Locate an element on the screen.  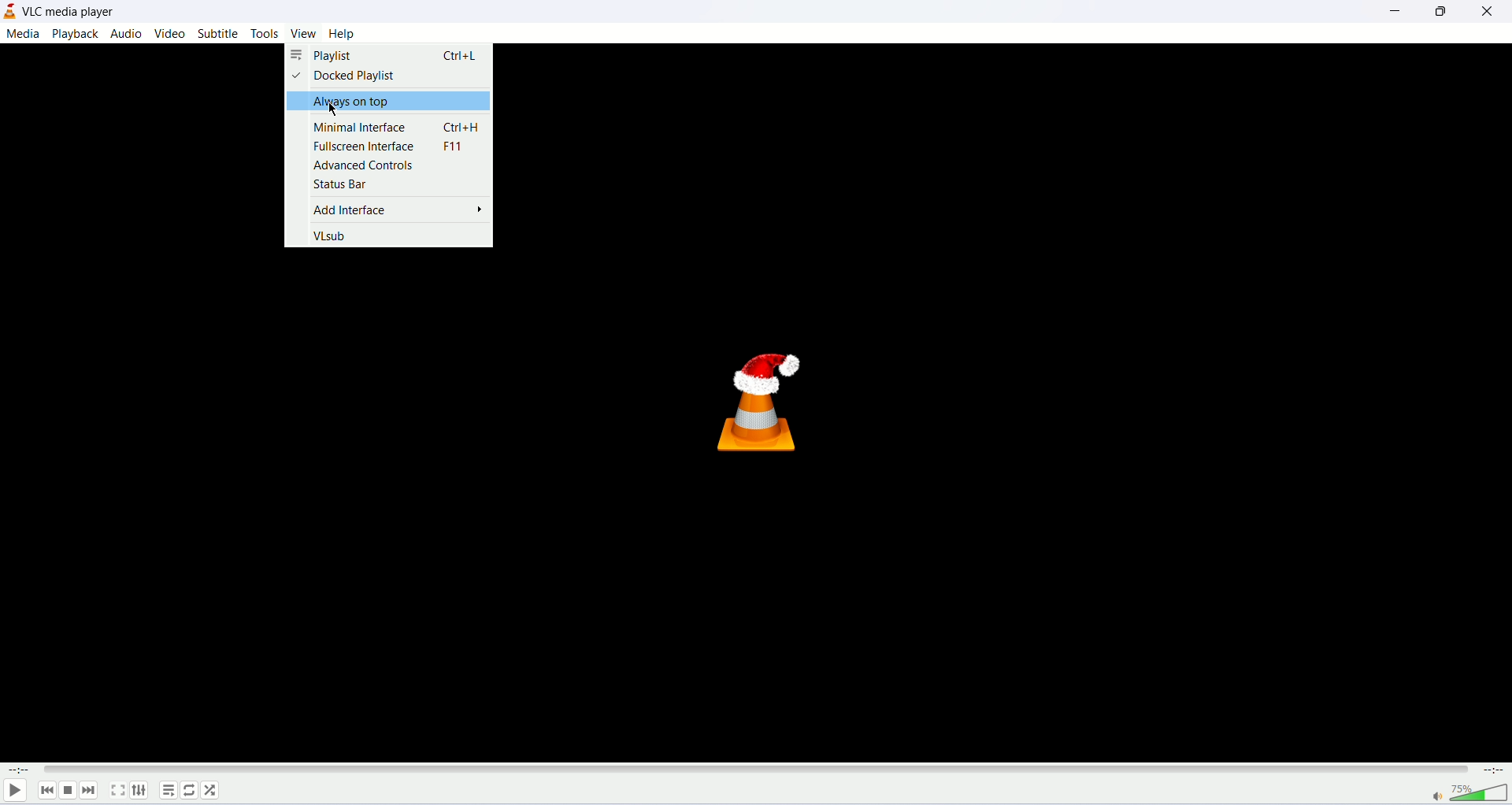
logo is located at coordinates (9, 10).